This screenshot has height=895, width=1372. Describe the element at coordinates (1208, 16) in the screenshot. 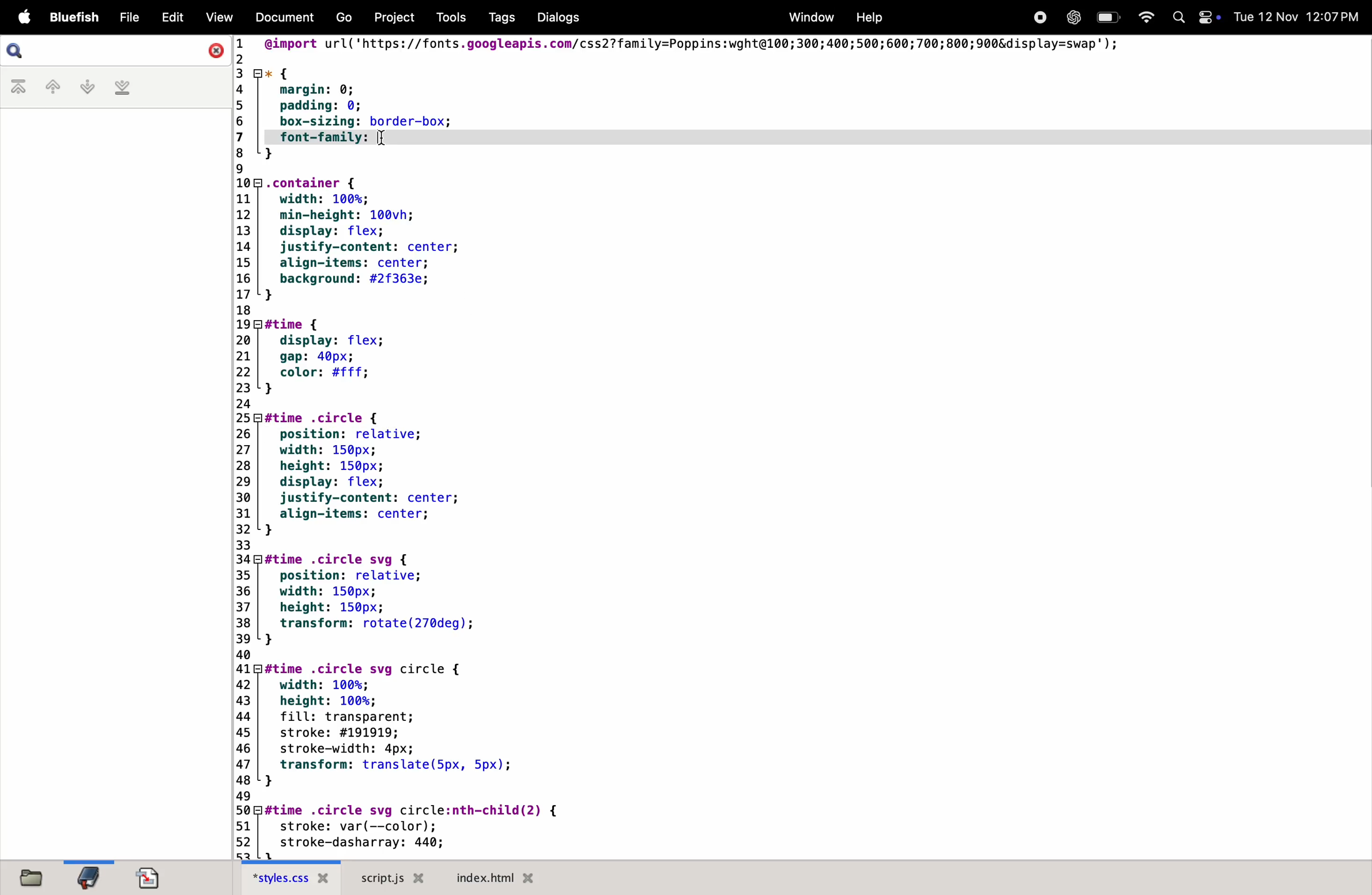

I see `Control Centre` at that location.